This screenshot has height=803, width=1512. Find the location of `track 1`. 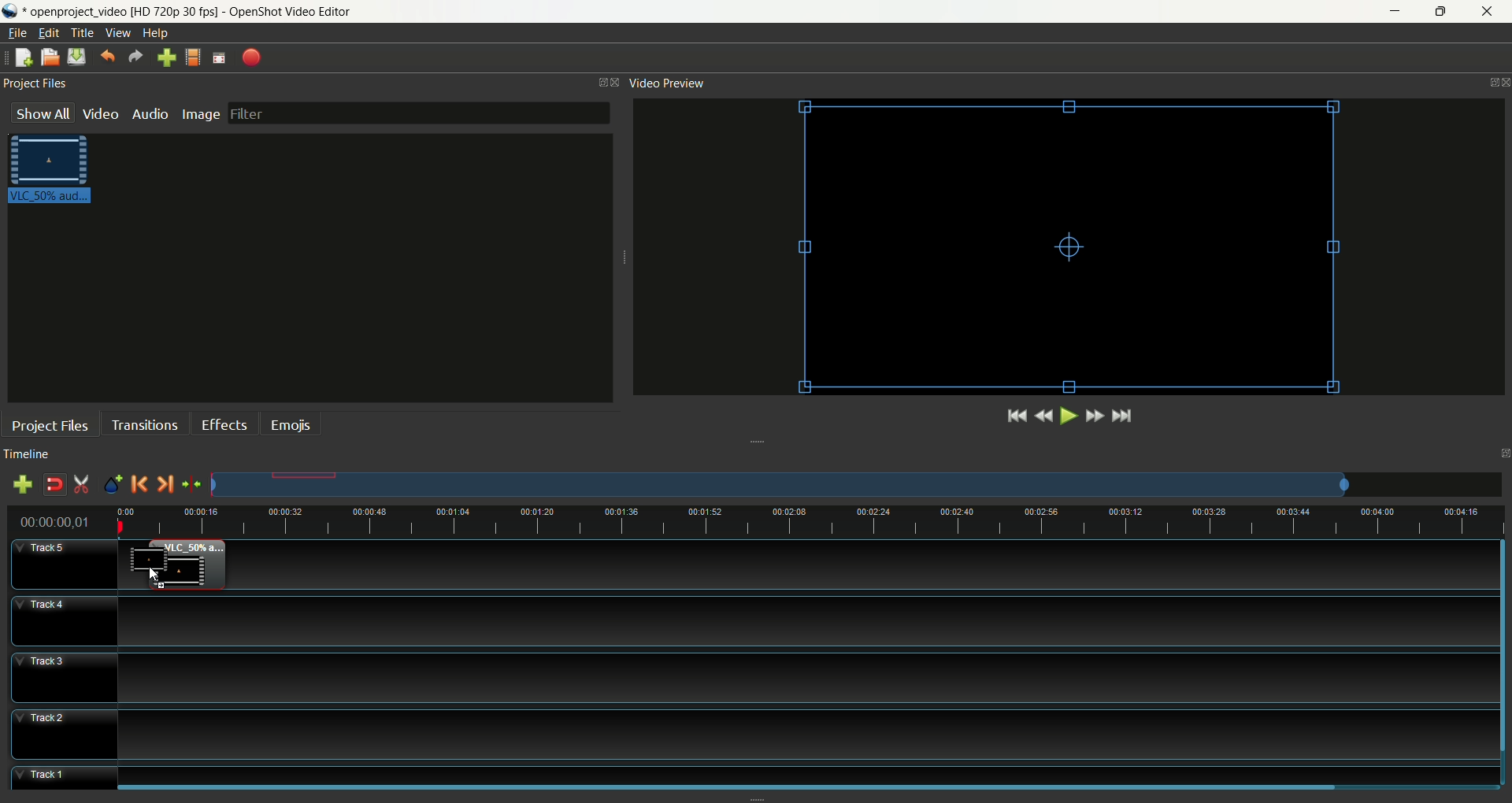

track 1 is located at coordinates (749, 779).